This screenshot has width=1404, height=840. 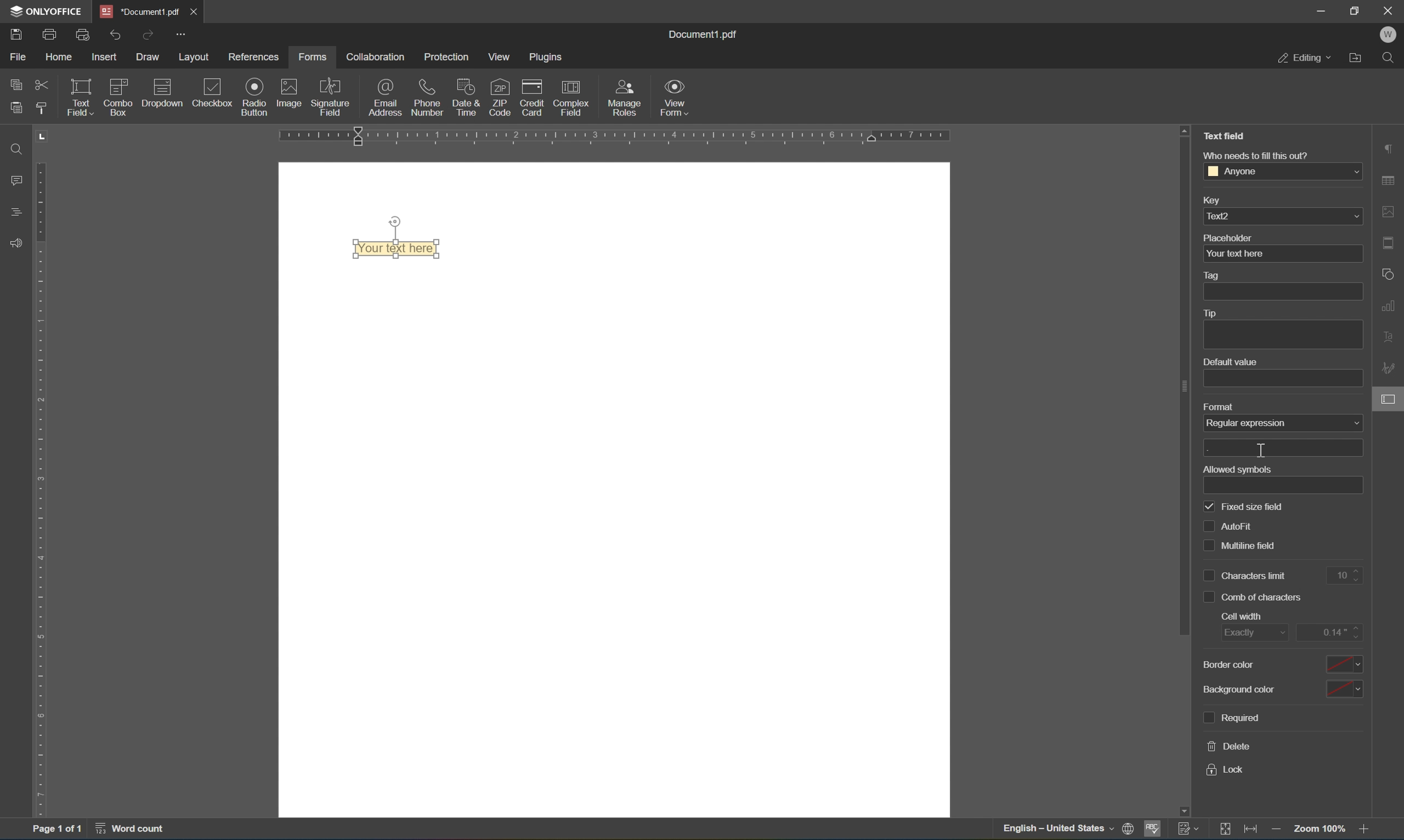 What do you see at coordinates (1281, 171) in the screenshot?
I see `anyone` at bounding box center [1281, 171].